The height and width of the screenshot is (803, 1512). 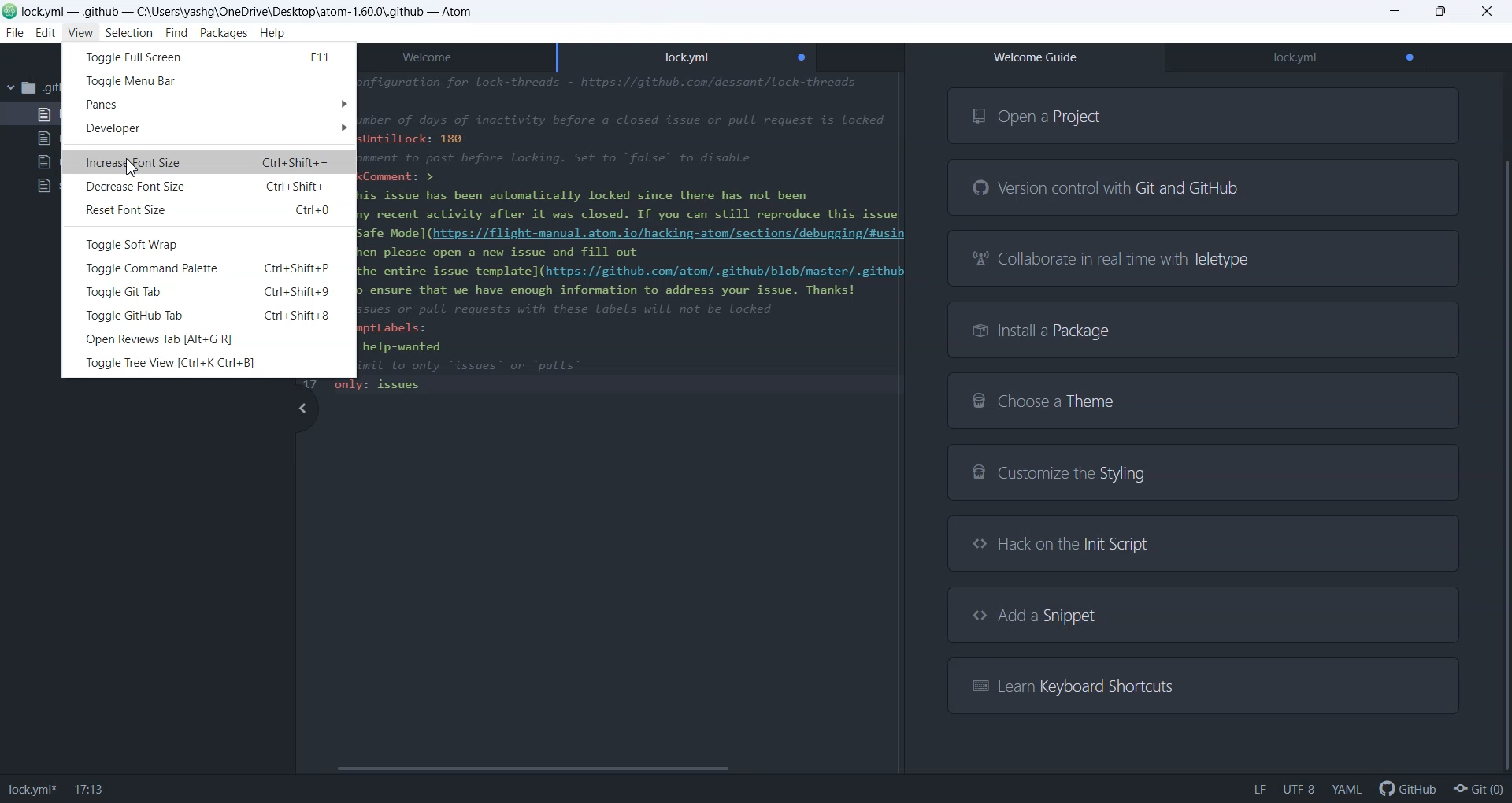 What do you see at coordinates (1204, 188) in the screenshot?
I see `Version control with Git and GitHub` at bounding box center [1204, 188].